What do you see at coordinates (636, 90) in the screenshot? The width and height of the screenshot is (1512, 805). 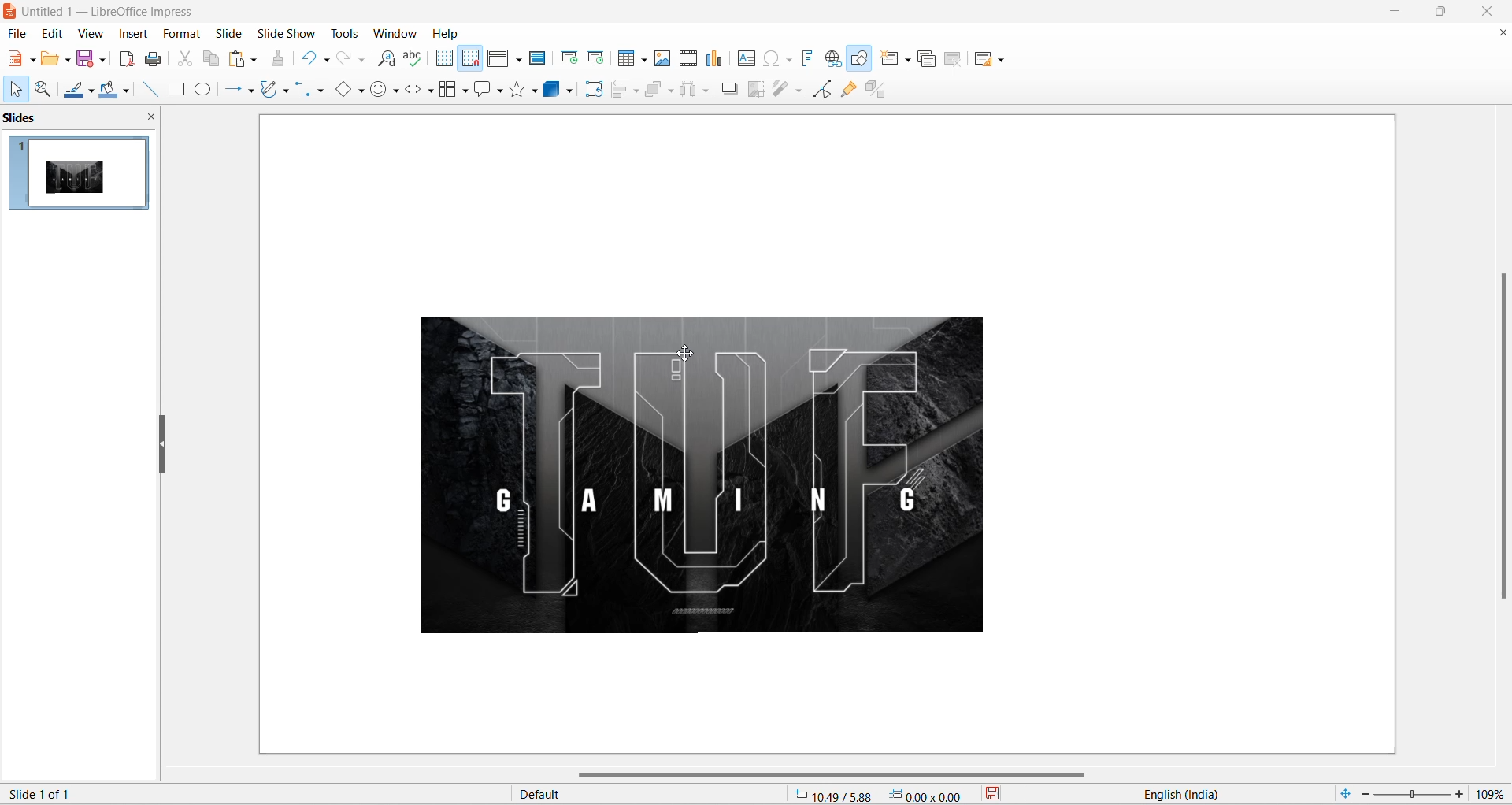 I see `align options` at bounding box center [636, 90].